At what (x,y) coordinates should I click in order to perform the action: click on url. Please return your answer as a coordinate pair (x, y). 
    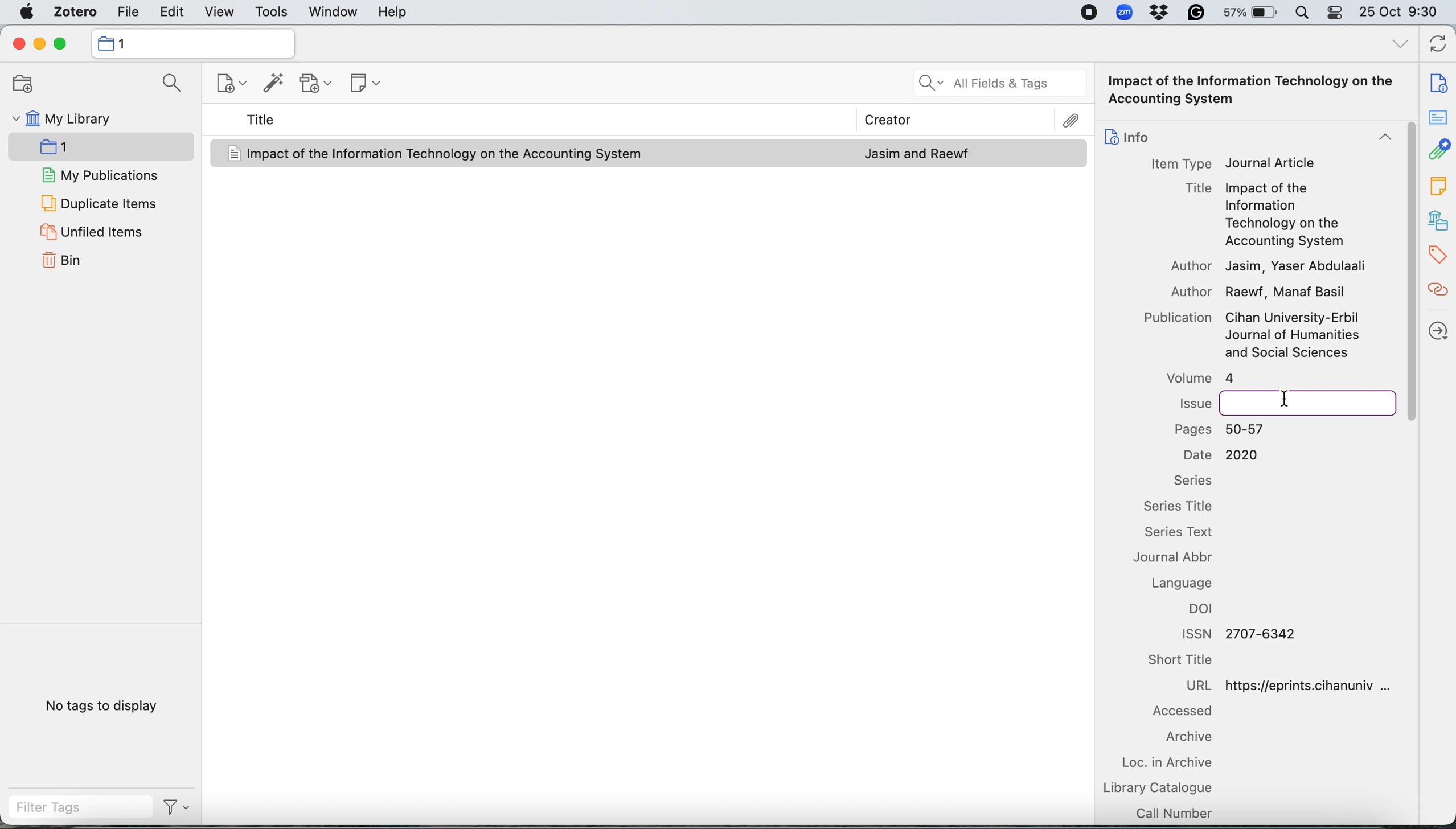
    Looking at the image, I should click on (1298, 684).